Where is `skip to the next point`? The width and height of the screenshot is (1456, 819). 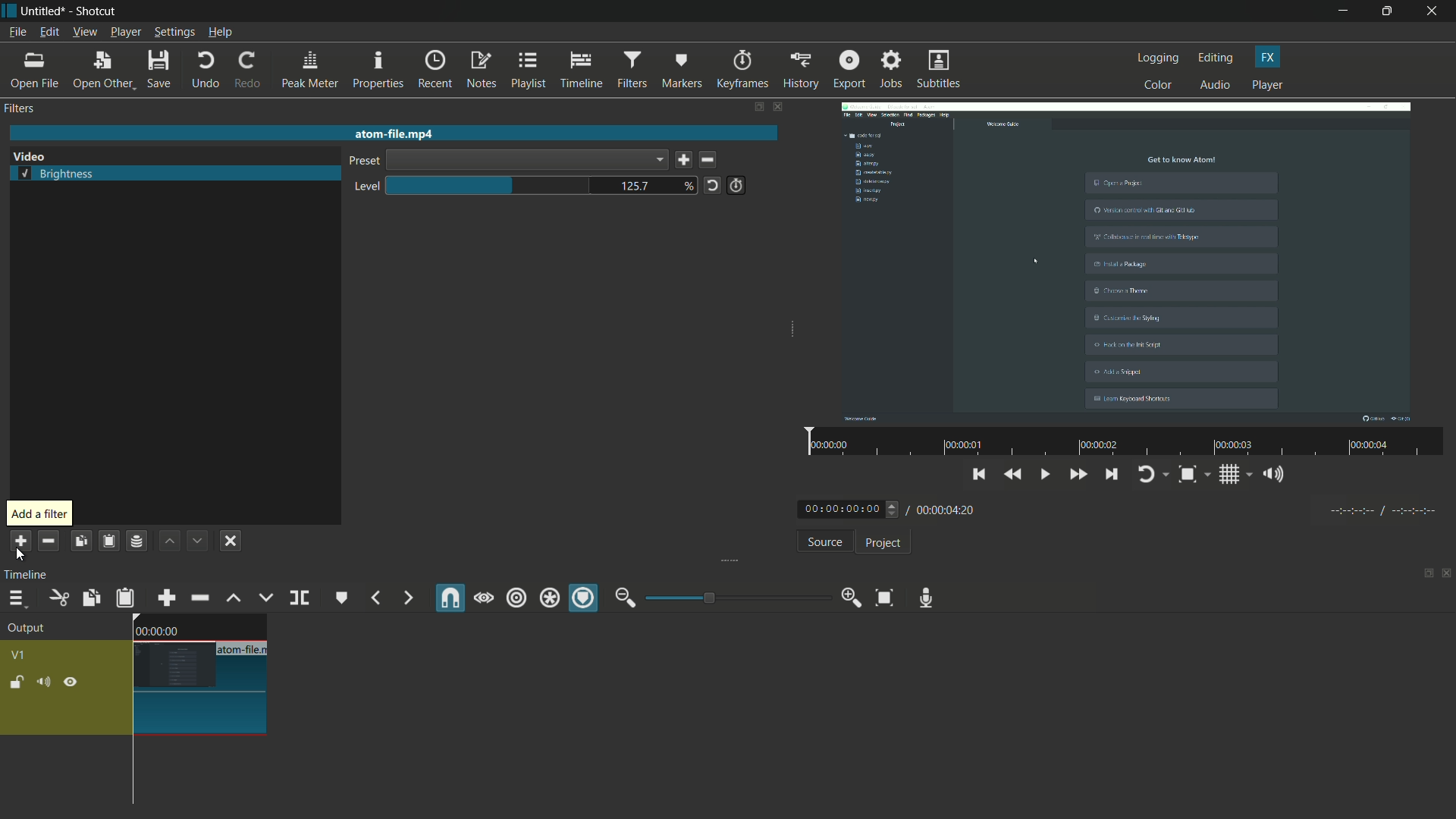 skip to the next point is located at coordinates (1112, 476).